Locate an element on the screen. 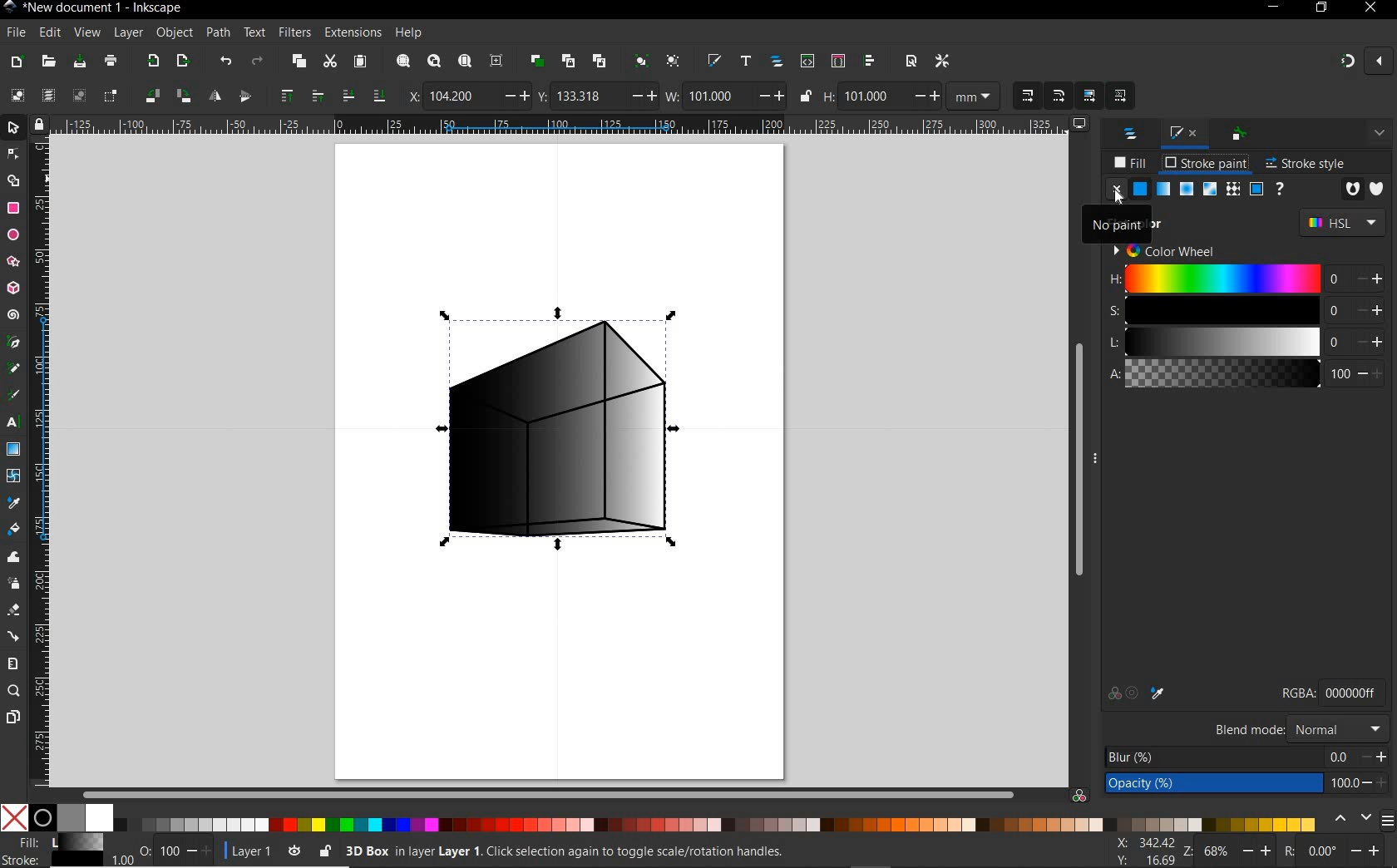 This screenshot has height=868, width=1397. STAR TOOL is located at coordinates (14, 262).